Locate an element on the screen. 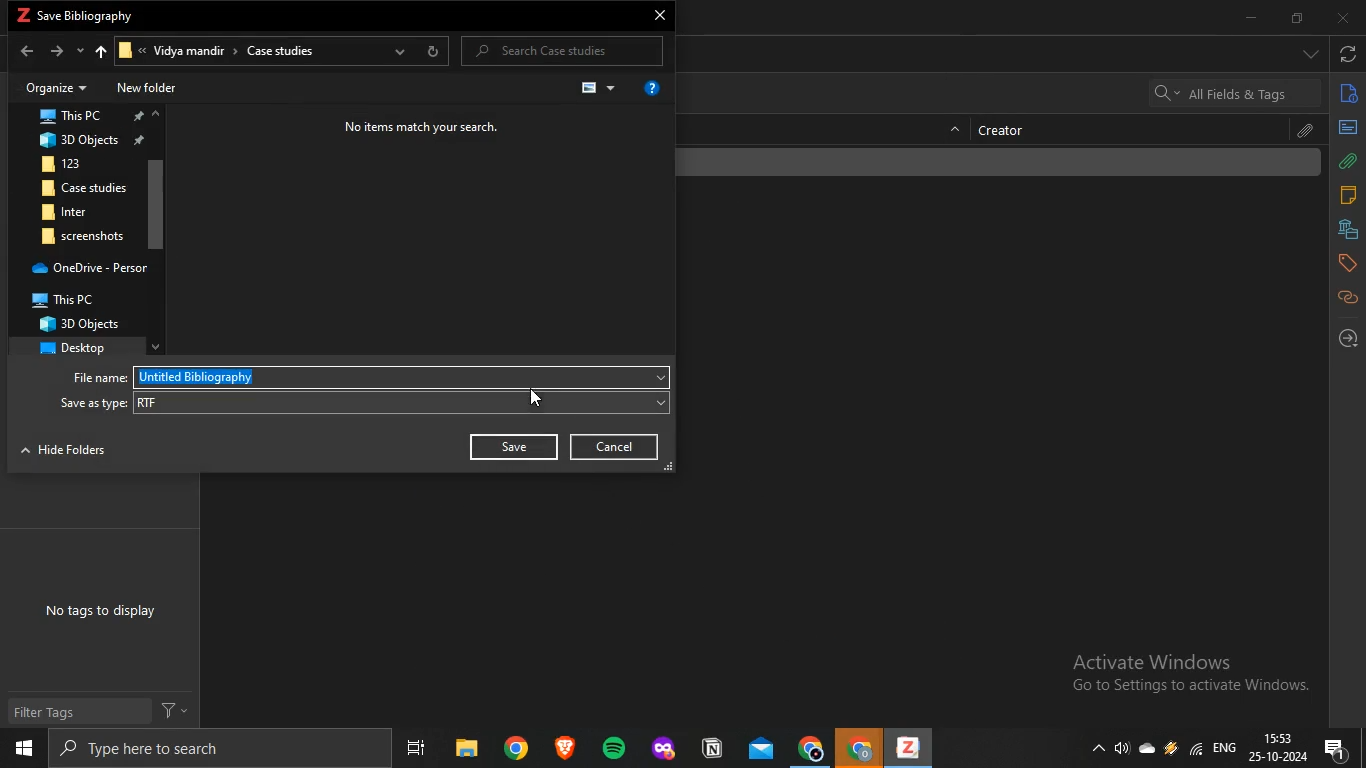  Cancel is located at coordinates (615, 447).